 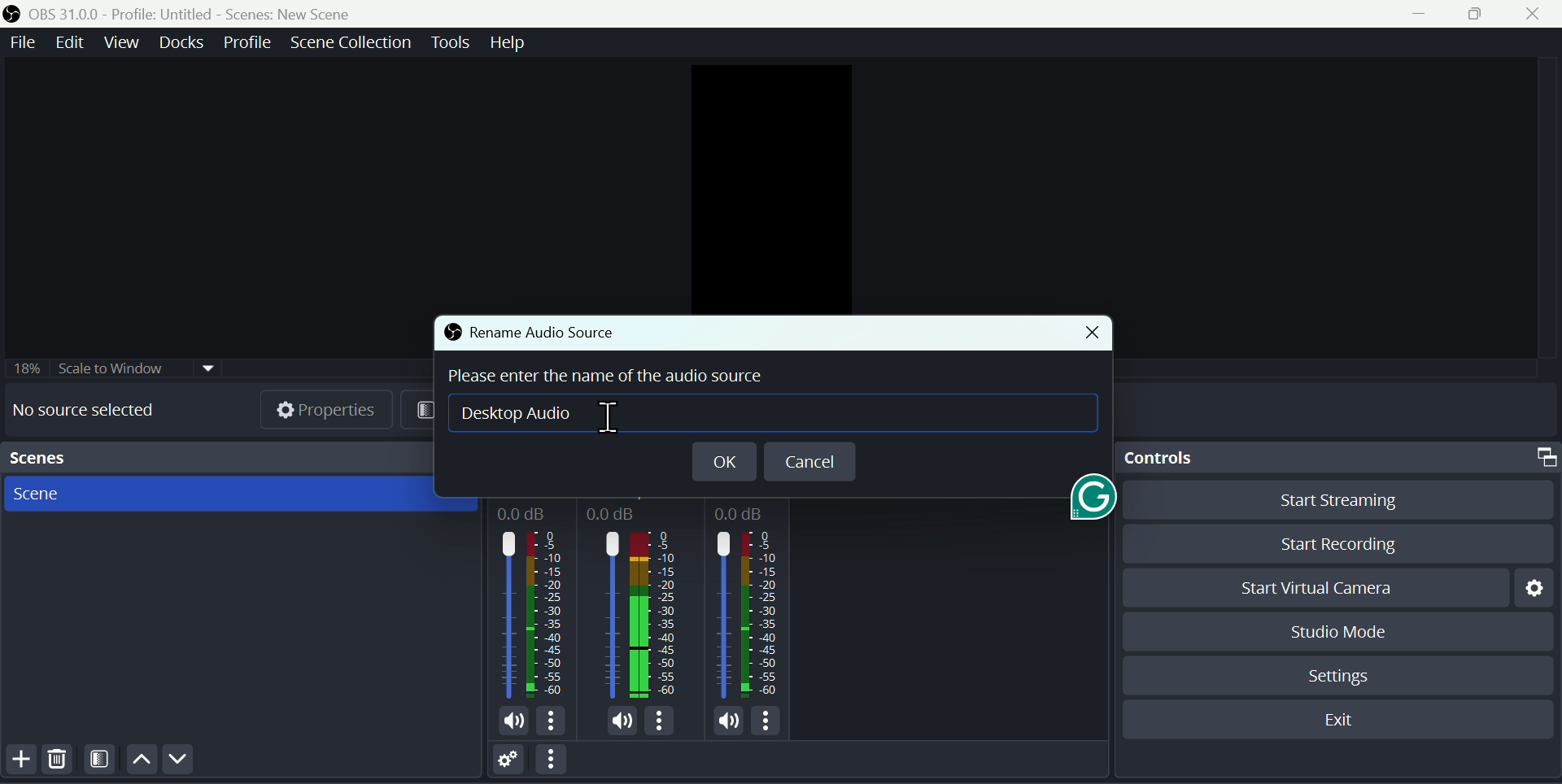 What do you see at coordinates (1530, 588) in the screenshot?
I see `Settings` at bounding box center [1530, 588].